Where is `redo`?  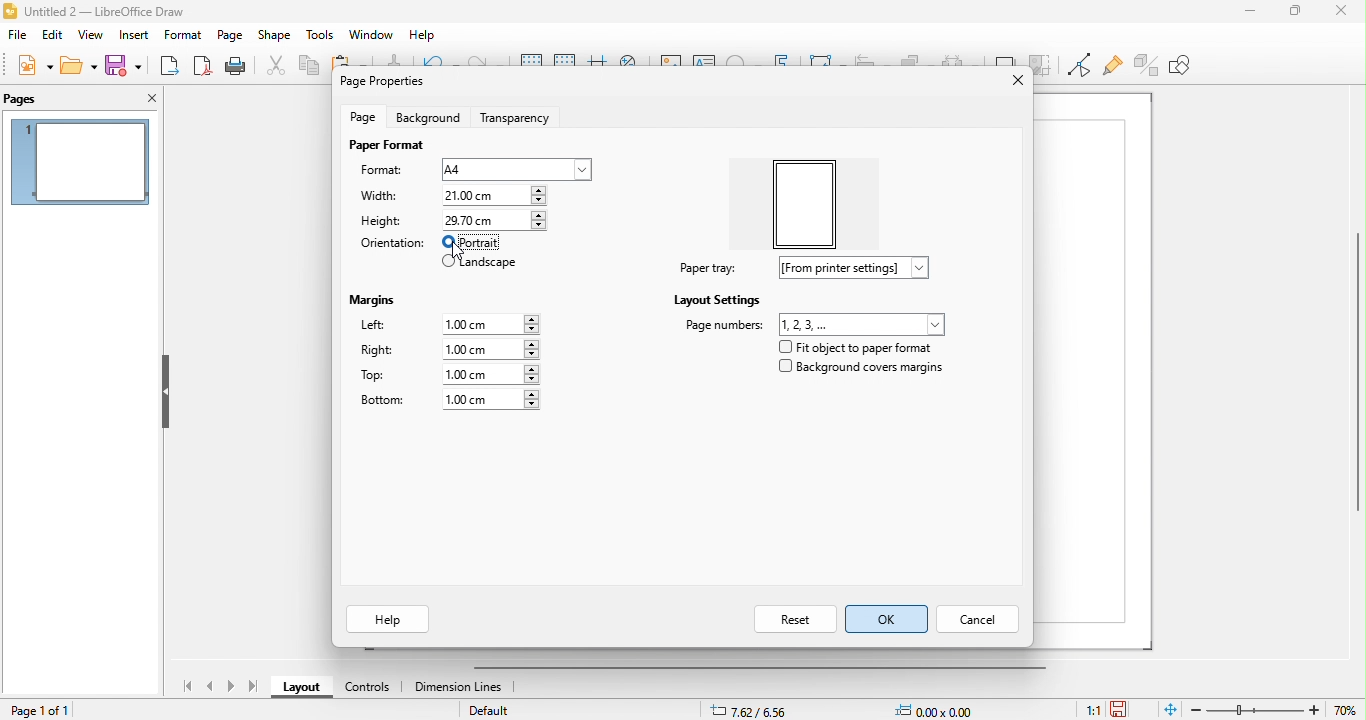
redo is located at coordinates (484, 65).